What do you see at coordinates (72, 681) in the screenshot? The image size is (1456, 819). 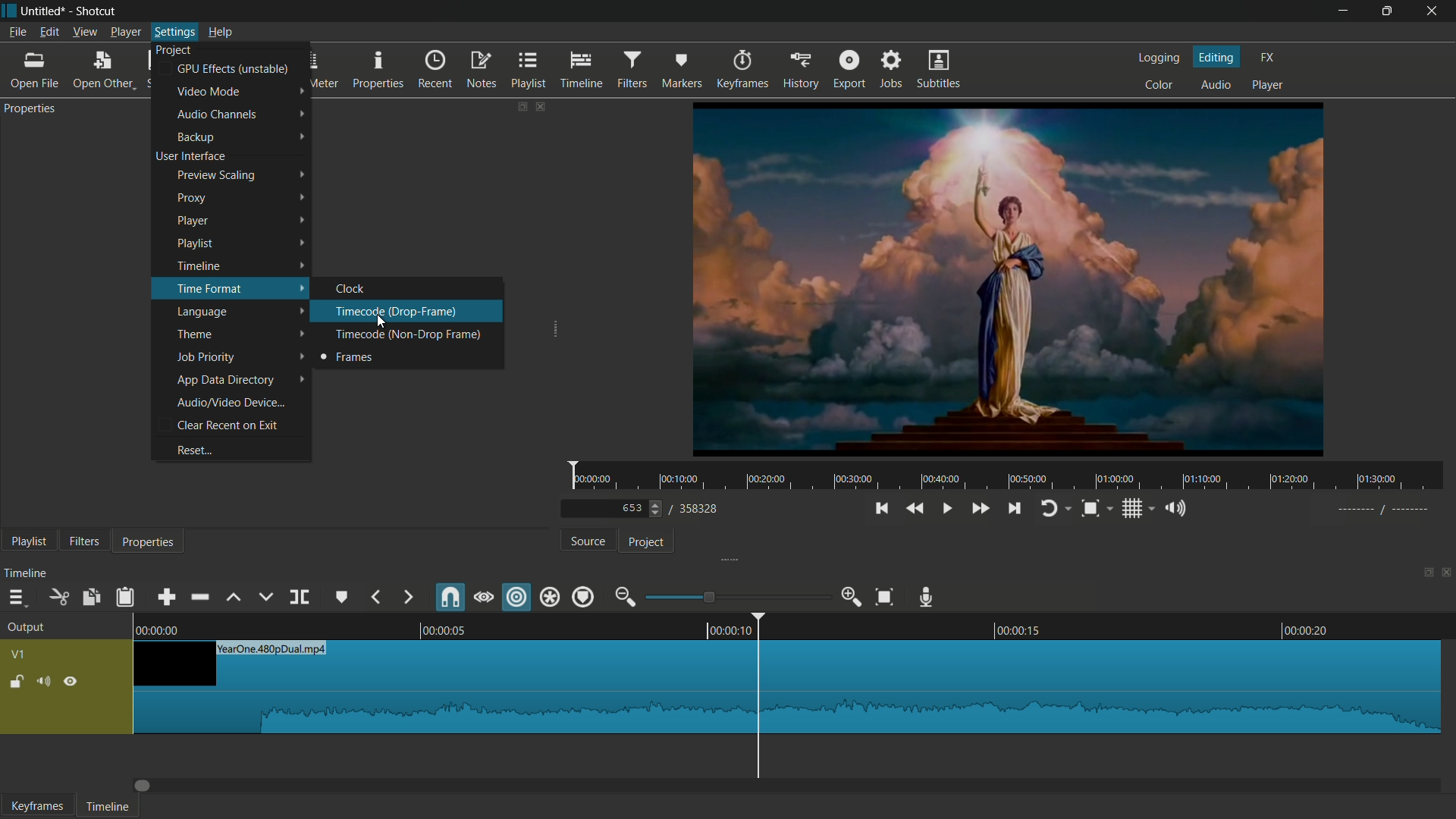 I see `hide` at bounding box center [72, 681].